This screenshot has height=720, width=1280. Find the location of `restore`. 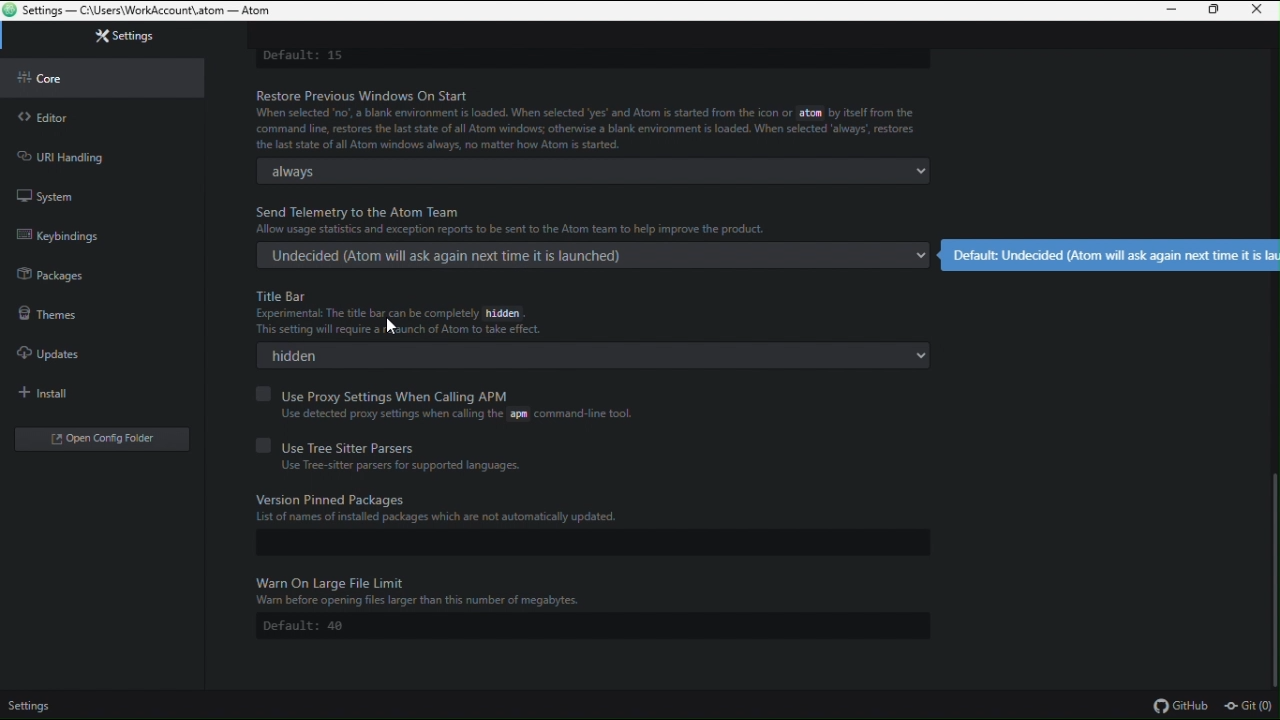

restore is located at coordinates (1217, 11).